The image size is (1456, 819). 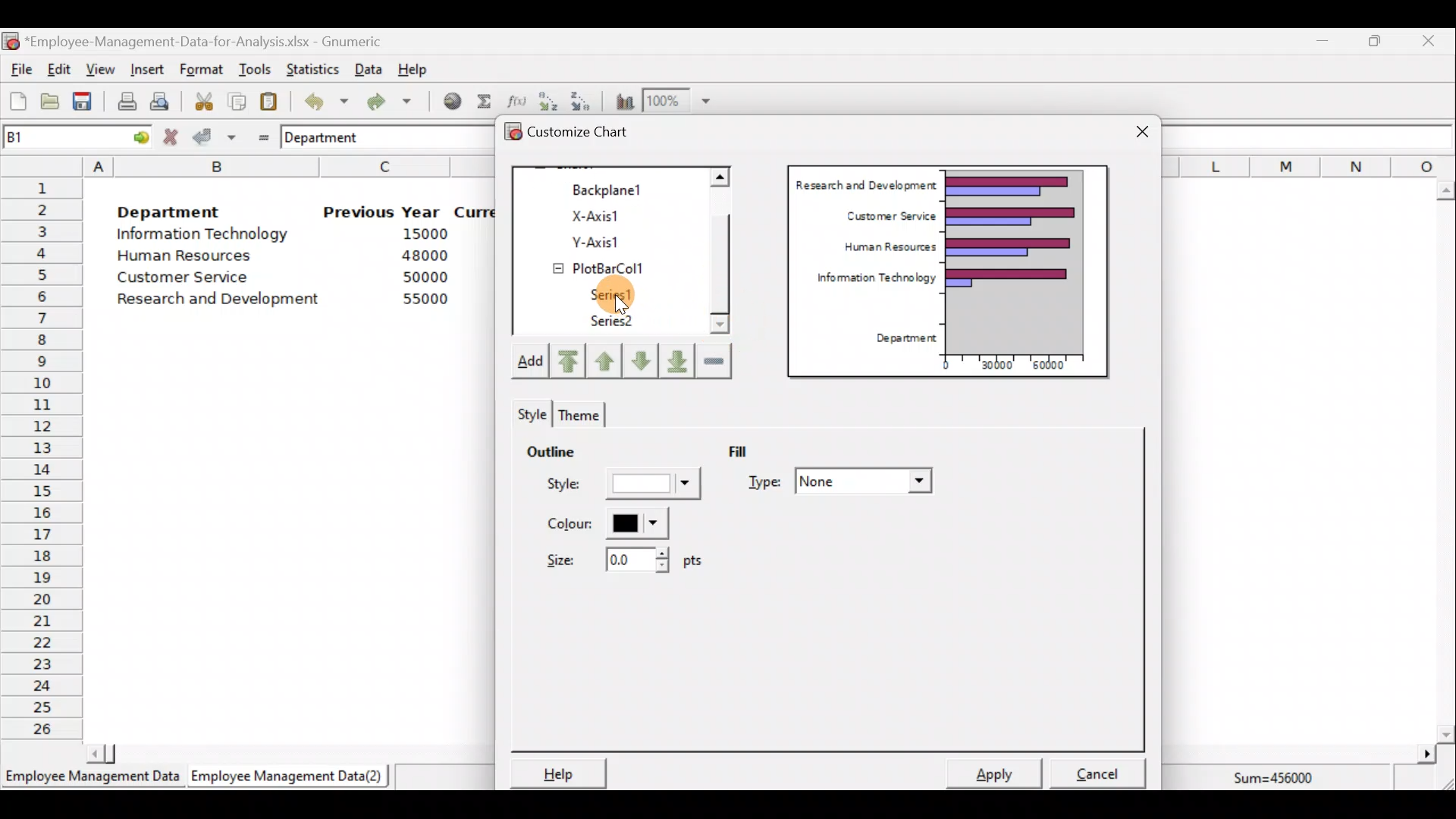 What do you see at coordinates (268, 101) in the screenshot?
I see `Paste the clipboard` at bounding box center [268, 101].